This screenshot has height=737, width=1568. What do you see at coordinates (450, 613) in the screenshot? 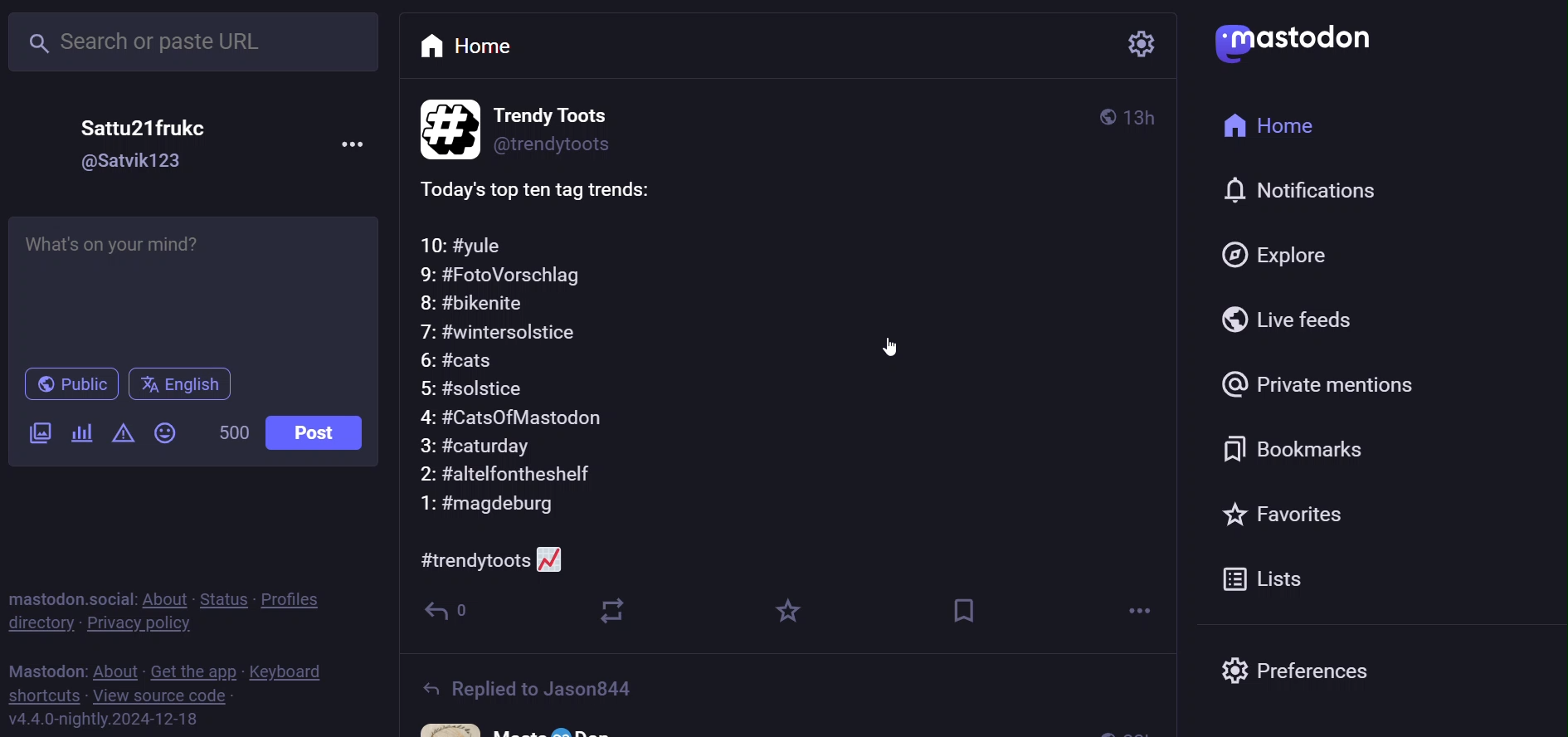
I see `reply` at bounding box center [450, 613].